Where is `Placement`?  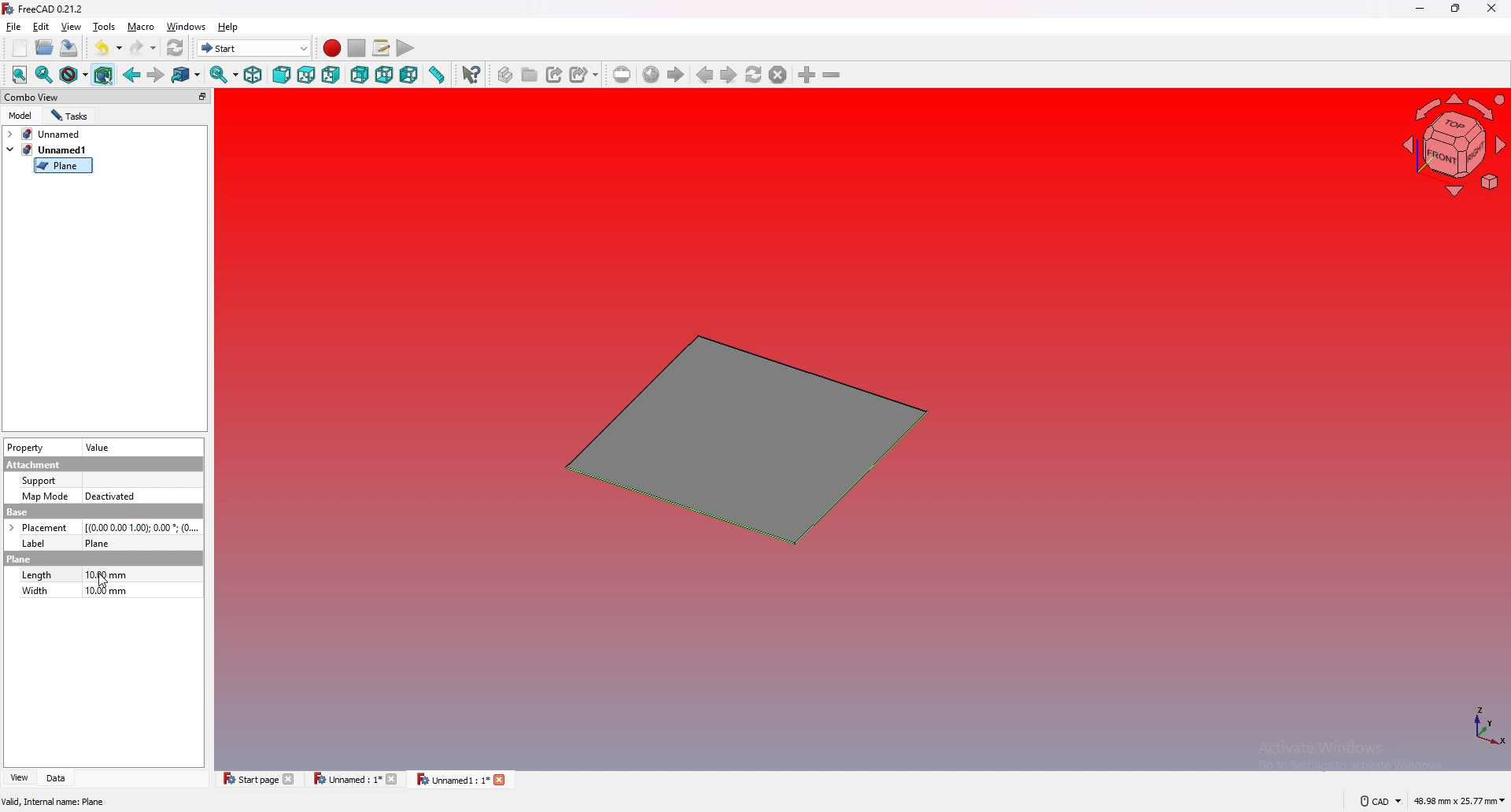
Placement is located at coordinates (38, 527).